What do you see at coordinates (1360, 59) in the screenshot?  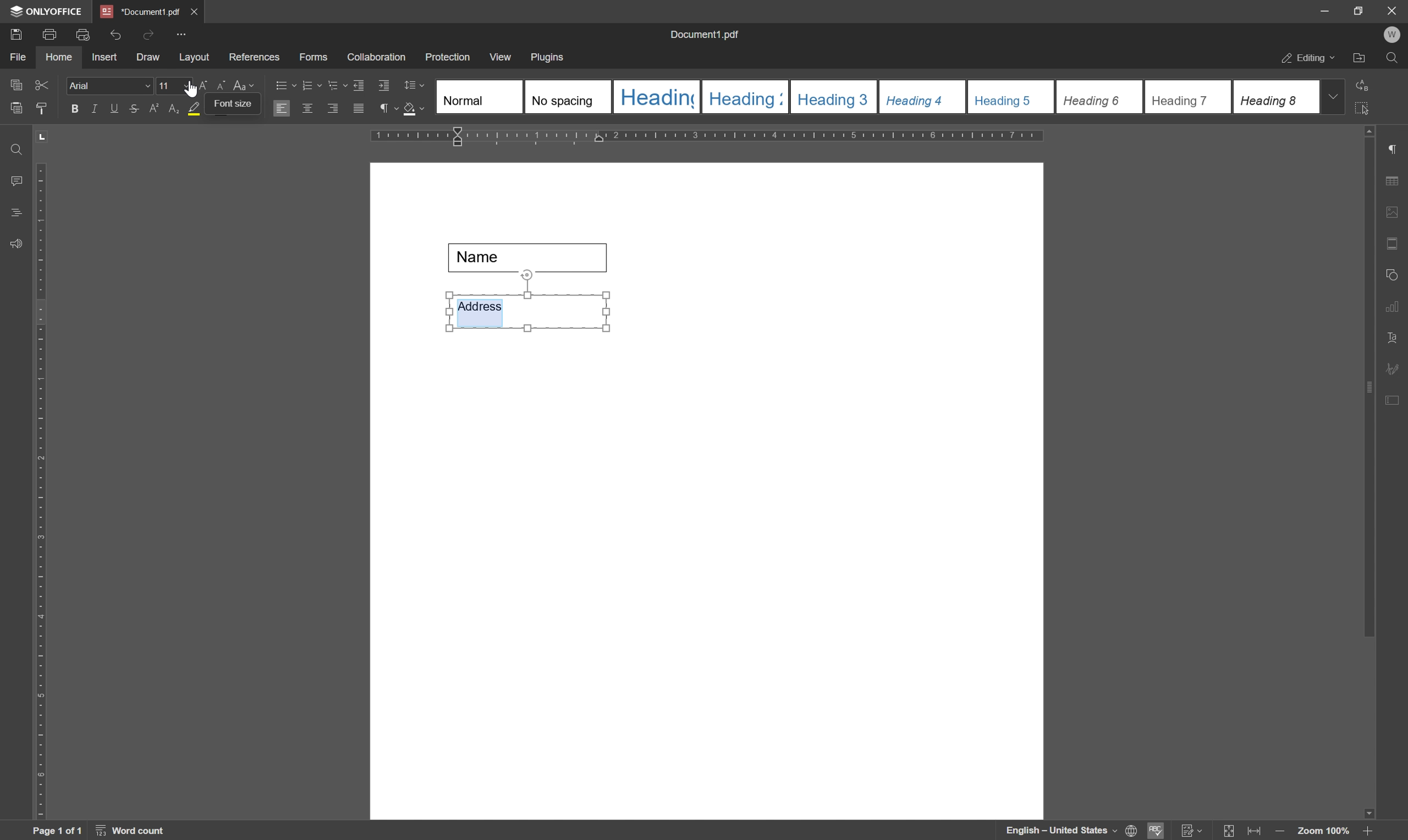 I see `open file location` at bounding box center [1360, 59].